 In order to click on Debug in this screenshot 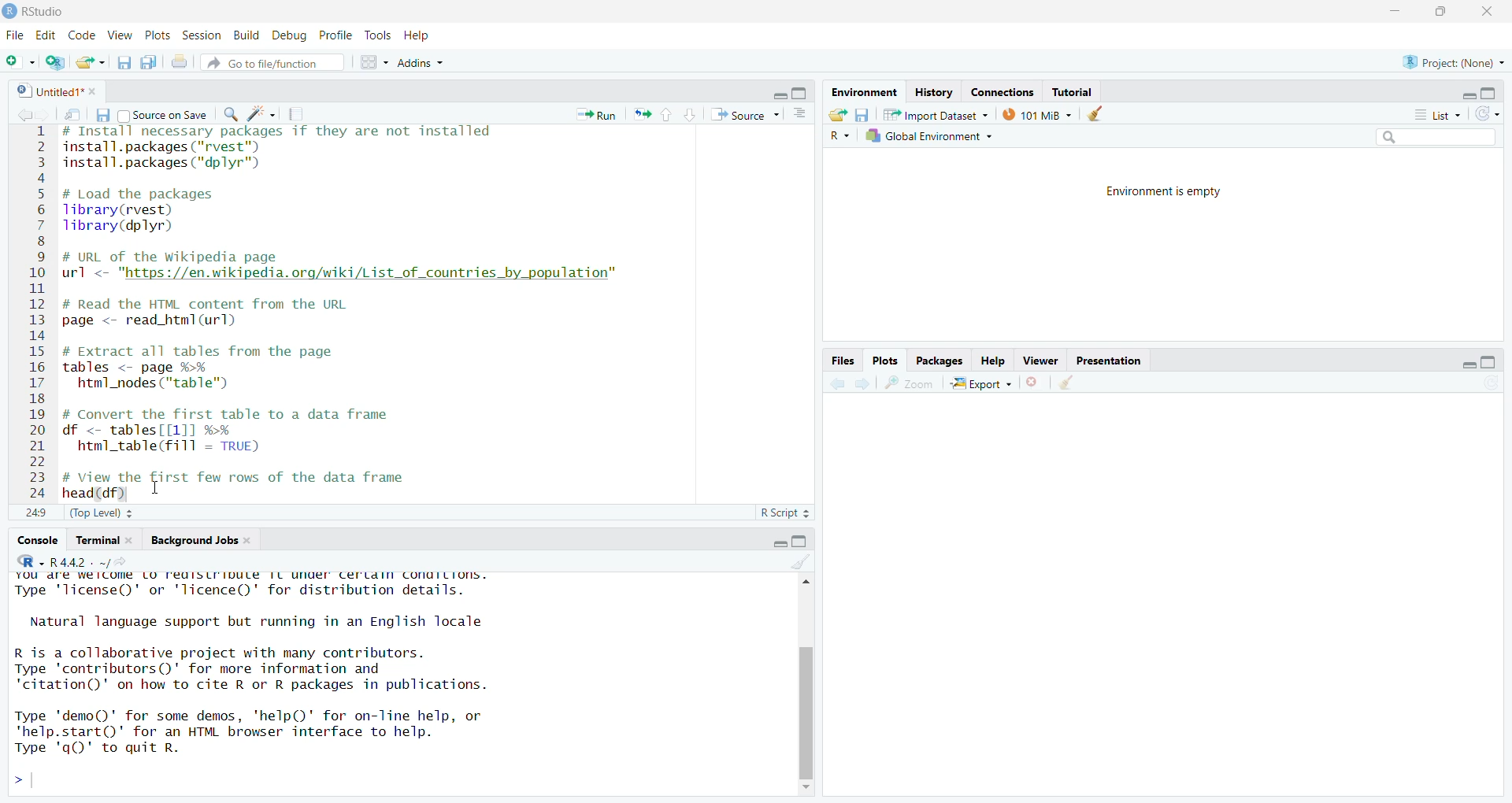, I will do `click(291, 36)`.